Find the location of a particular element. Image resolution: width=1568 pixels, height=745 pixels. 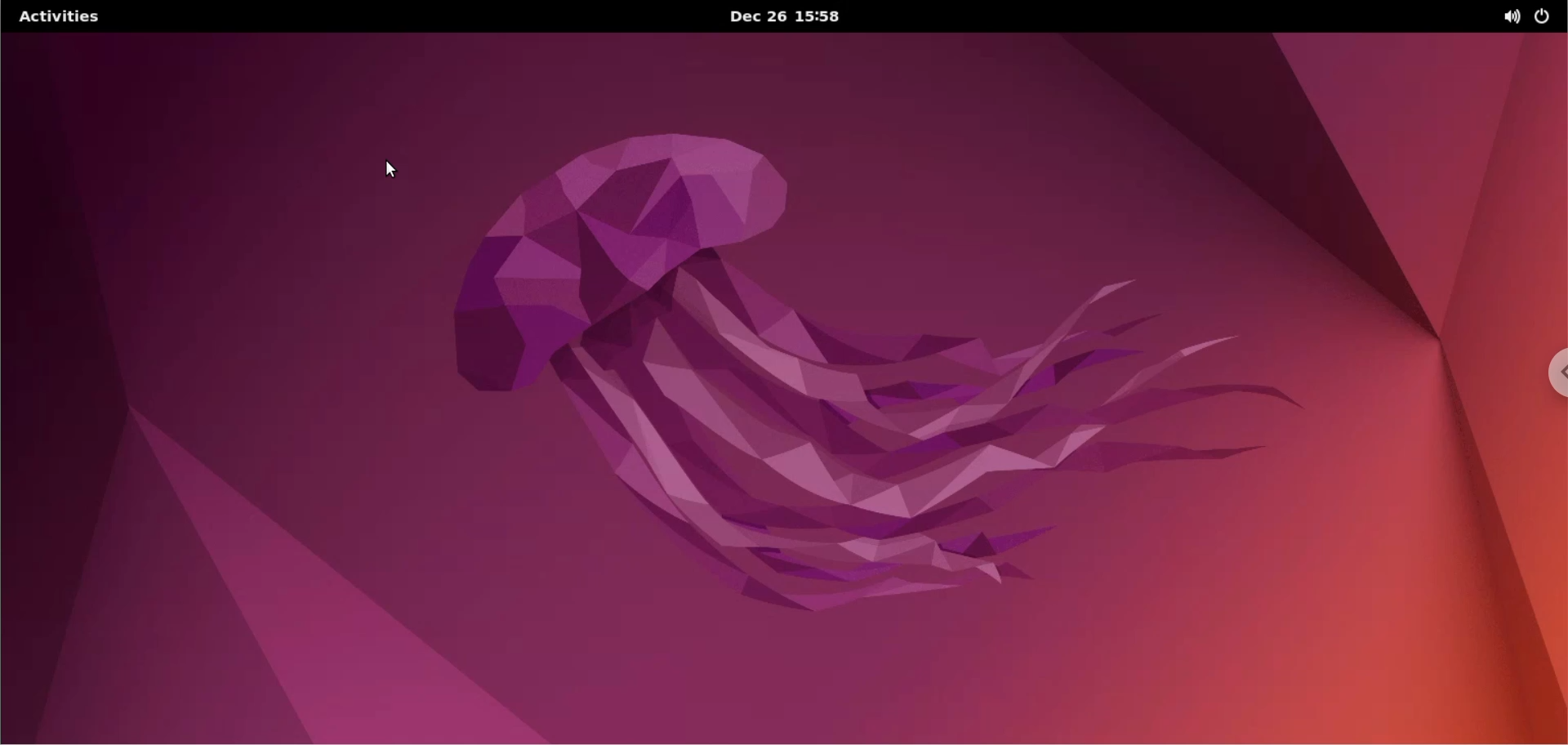

sound options is located at coordinates (1516, 16).